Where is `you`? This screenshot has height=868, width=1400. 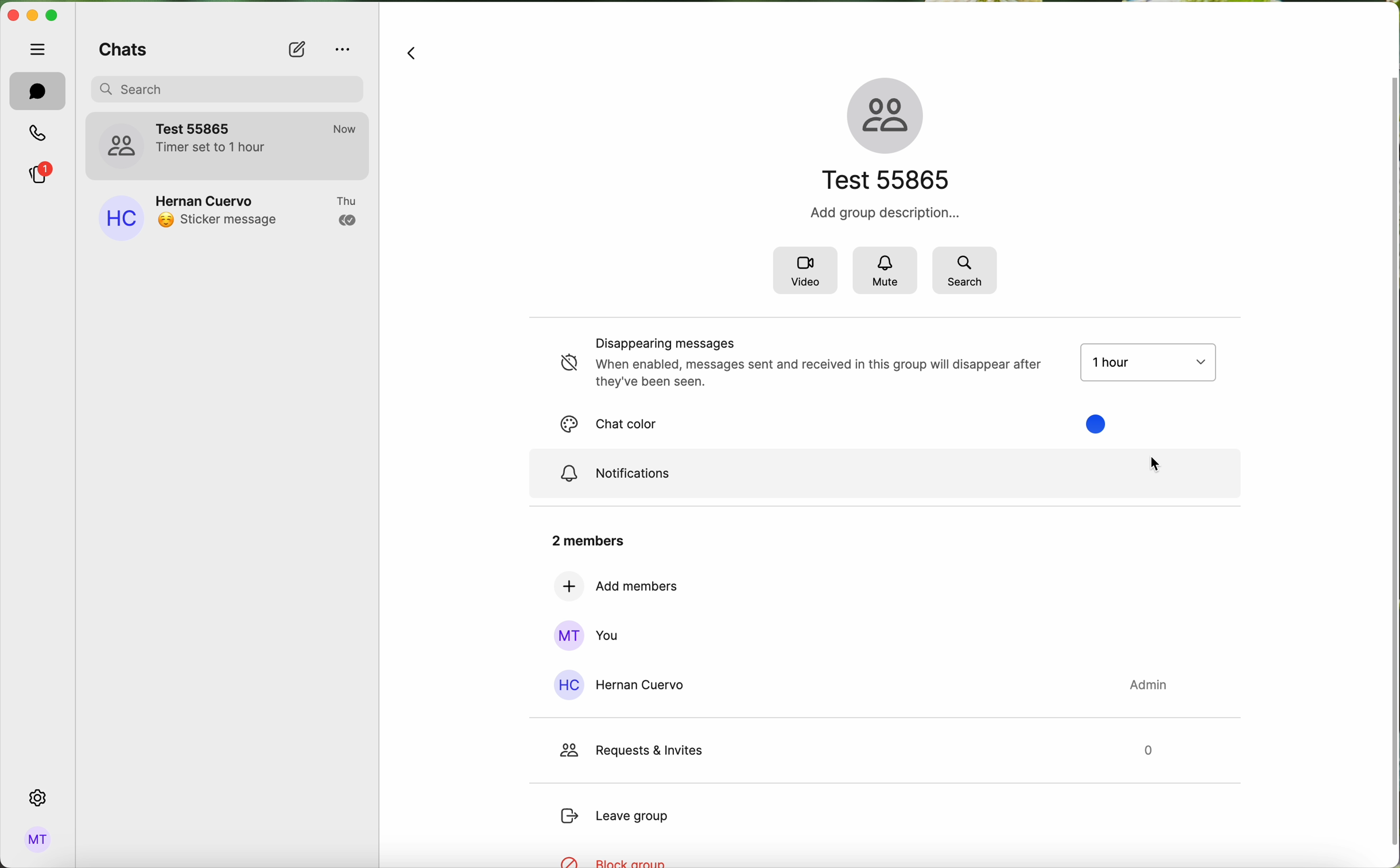
you is located at coordinates (586, 635).